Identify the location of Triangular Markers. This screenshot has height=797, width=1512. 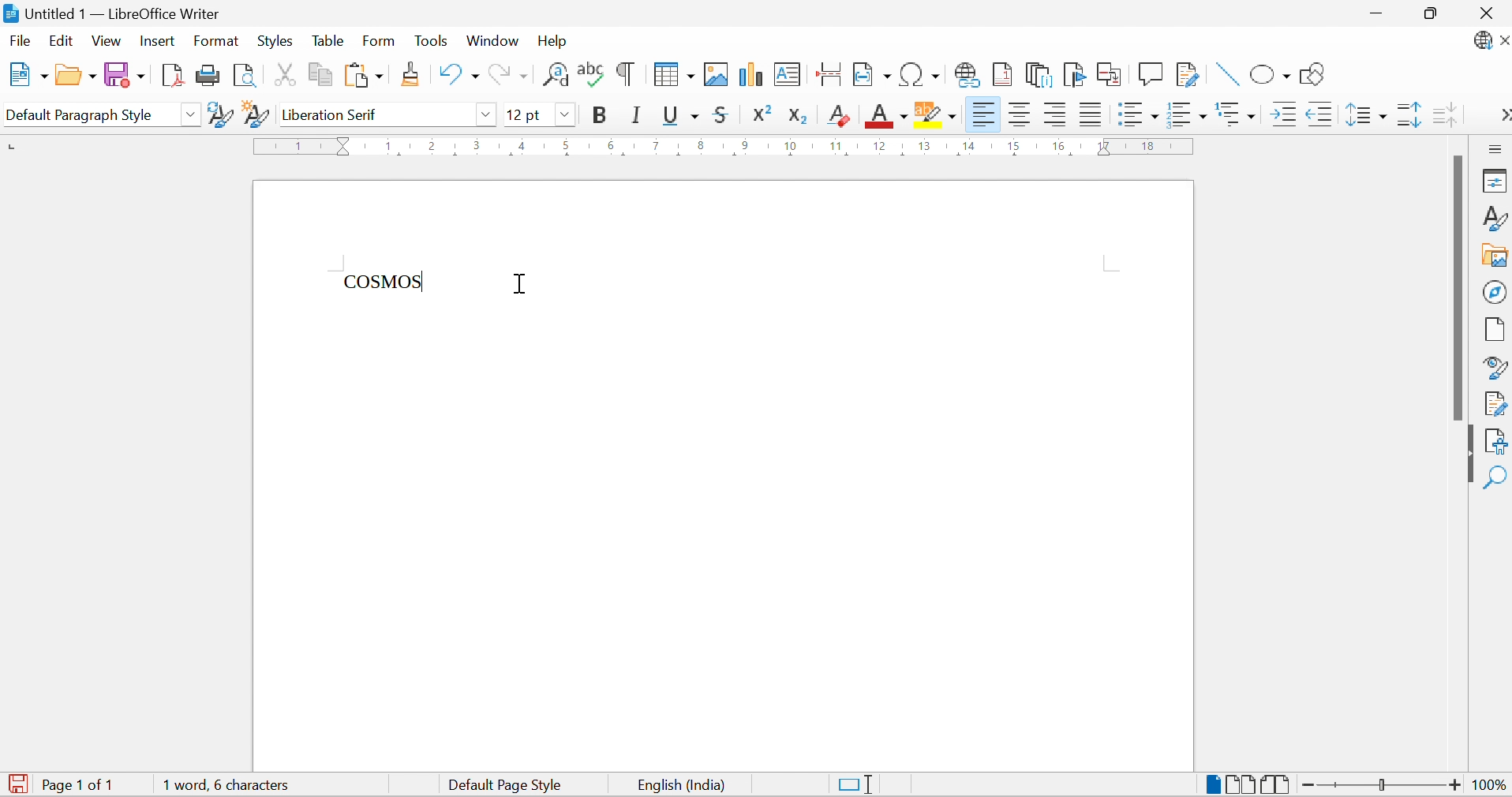
(345, 146).